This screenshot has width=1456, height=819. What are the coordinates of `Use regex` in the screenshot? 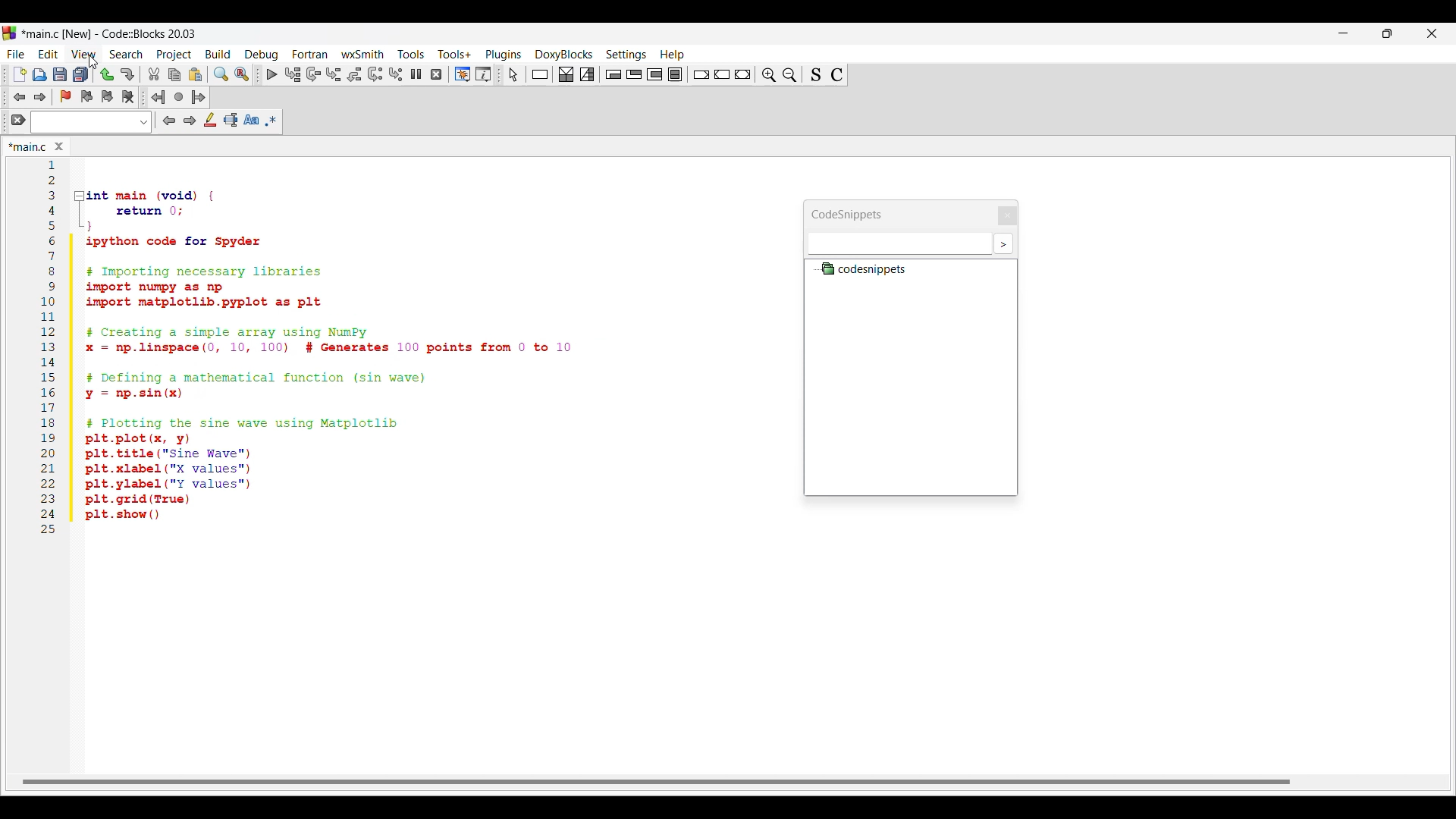 It's located at (271, 121).